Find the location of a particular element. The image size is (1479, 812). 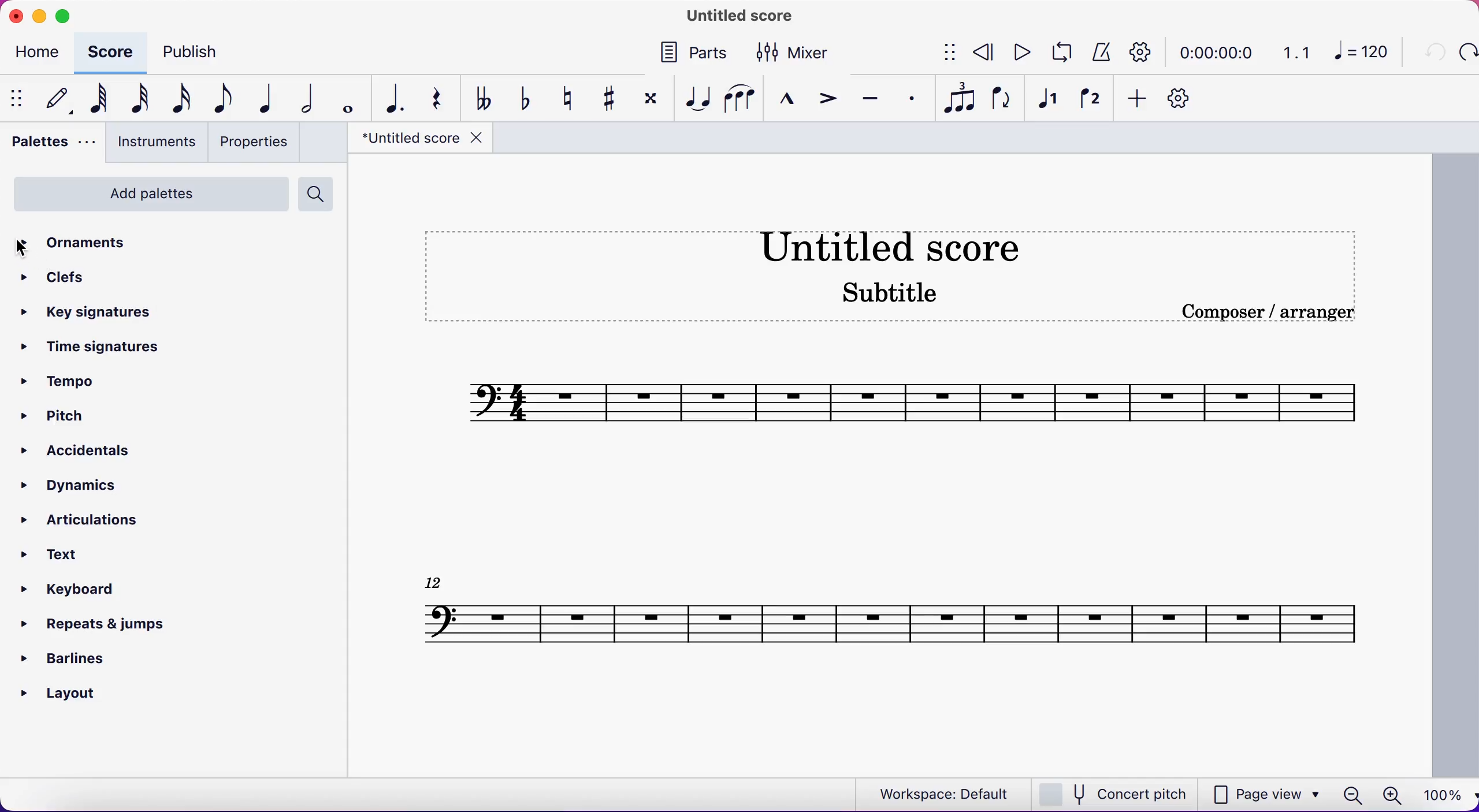

palettes is located at coordinates (49, 145).